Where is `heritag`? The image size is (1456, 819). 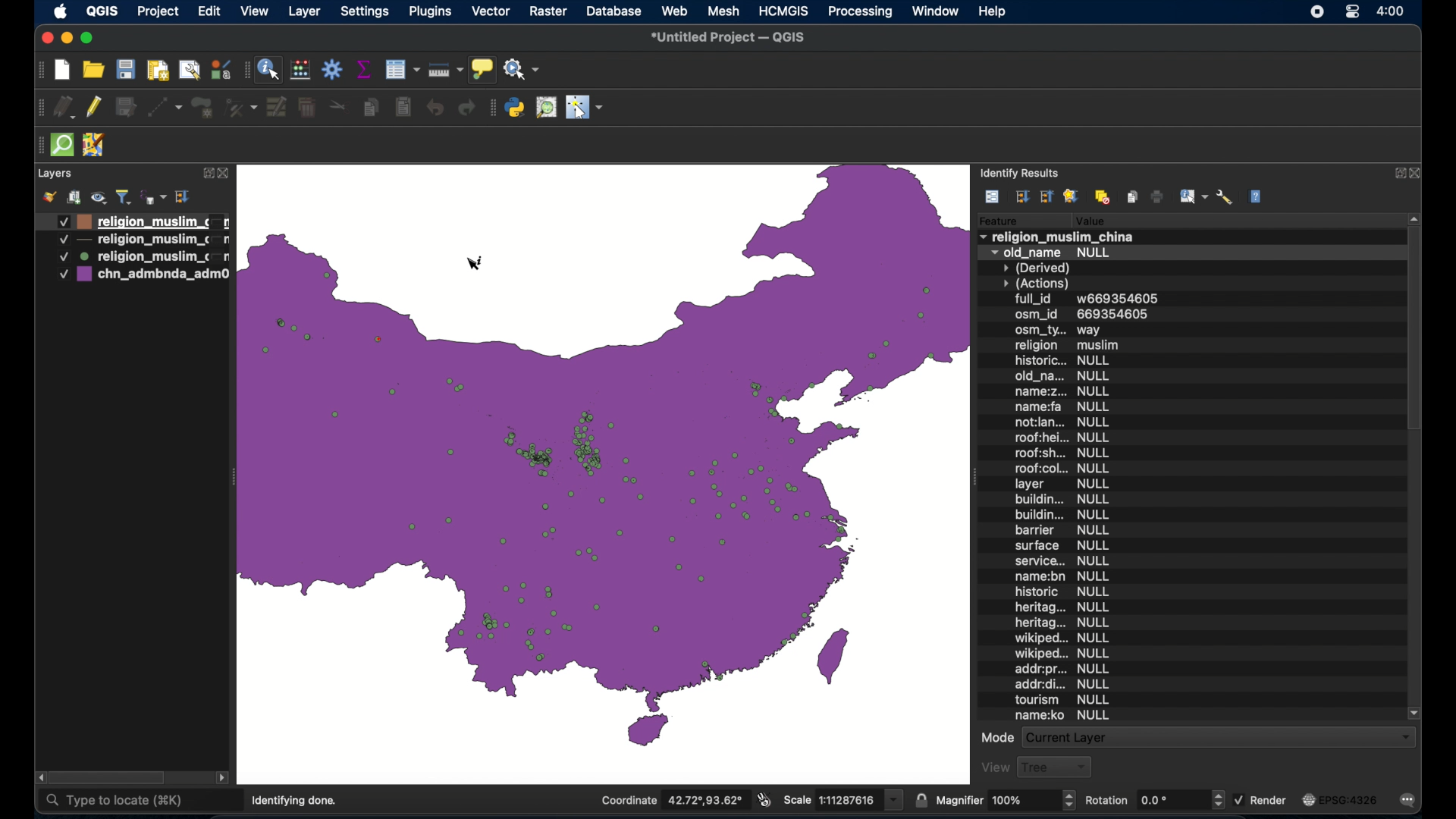 heritag is located at coordinates (1060, 607).